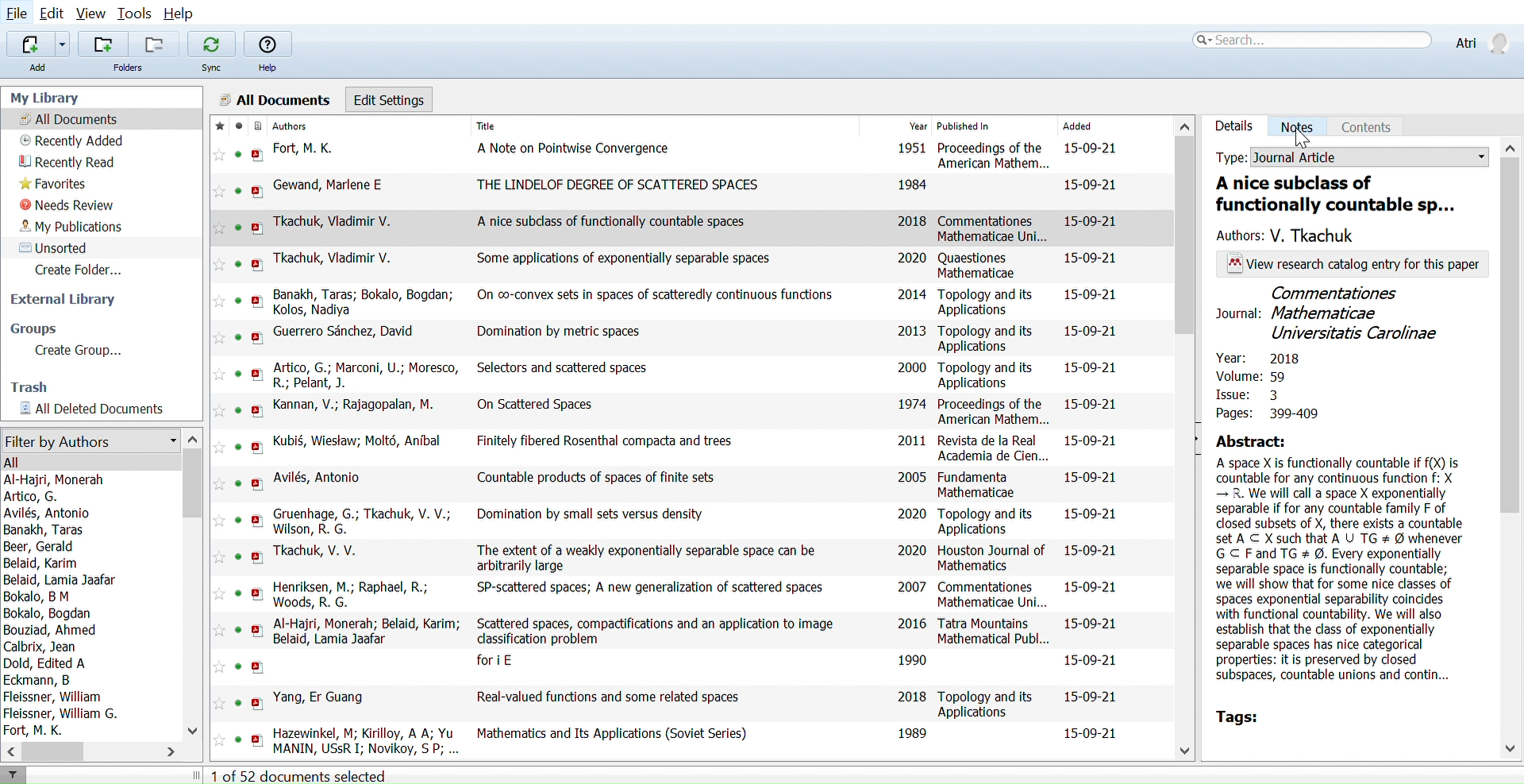  What do you see at coordinates (220, 191) in the screenshot?
I see `Add this reference to favorites` at bounding box center [220, 191].